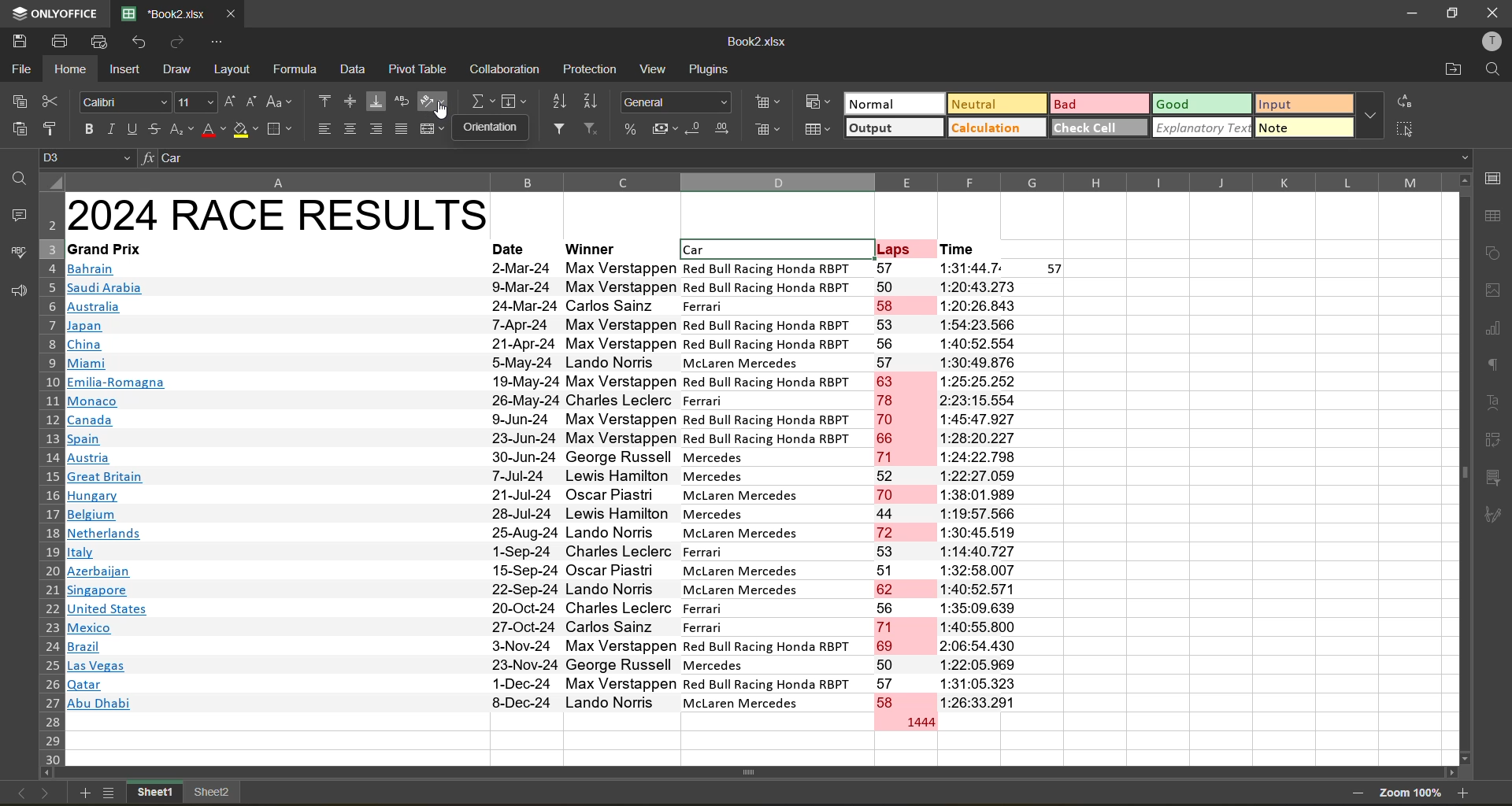 Image resolution: width=1512 pixels, height=806 pixels. What do you see at coordinates (996, 103) in the screenshot?
I see `neutral` at bounding box center [996, 103].